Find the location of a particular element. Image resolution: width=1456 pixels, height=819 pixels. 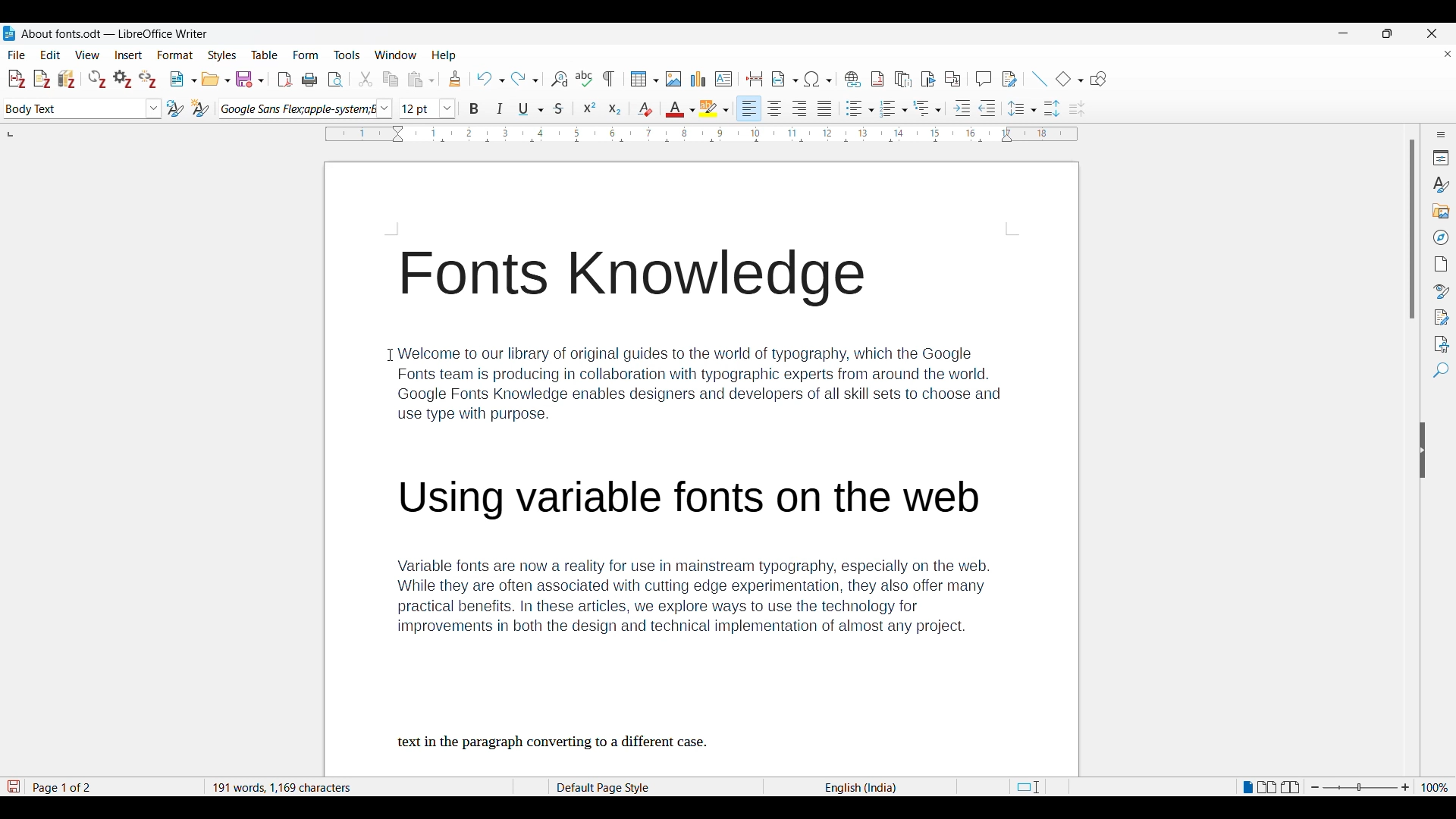

Manage changes is located at coordinates (1442, 318).